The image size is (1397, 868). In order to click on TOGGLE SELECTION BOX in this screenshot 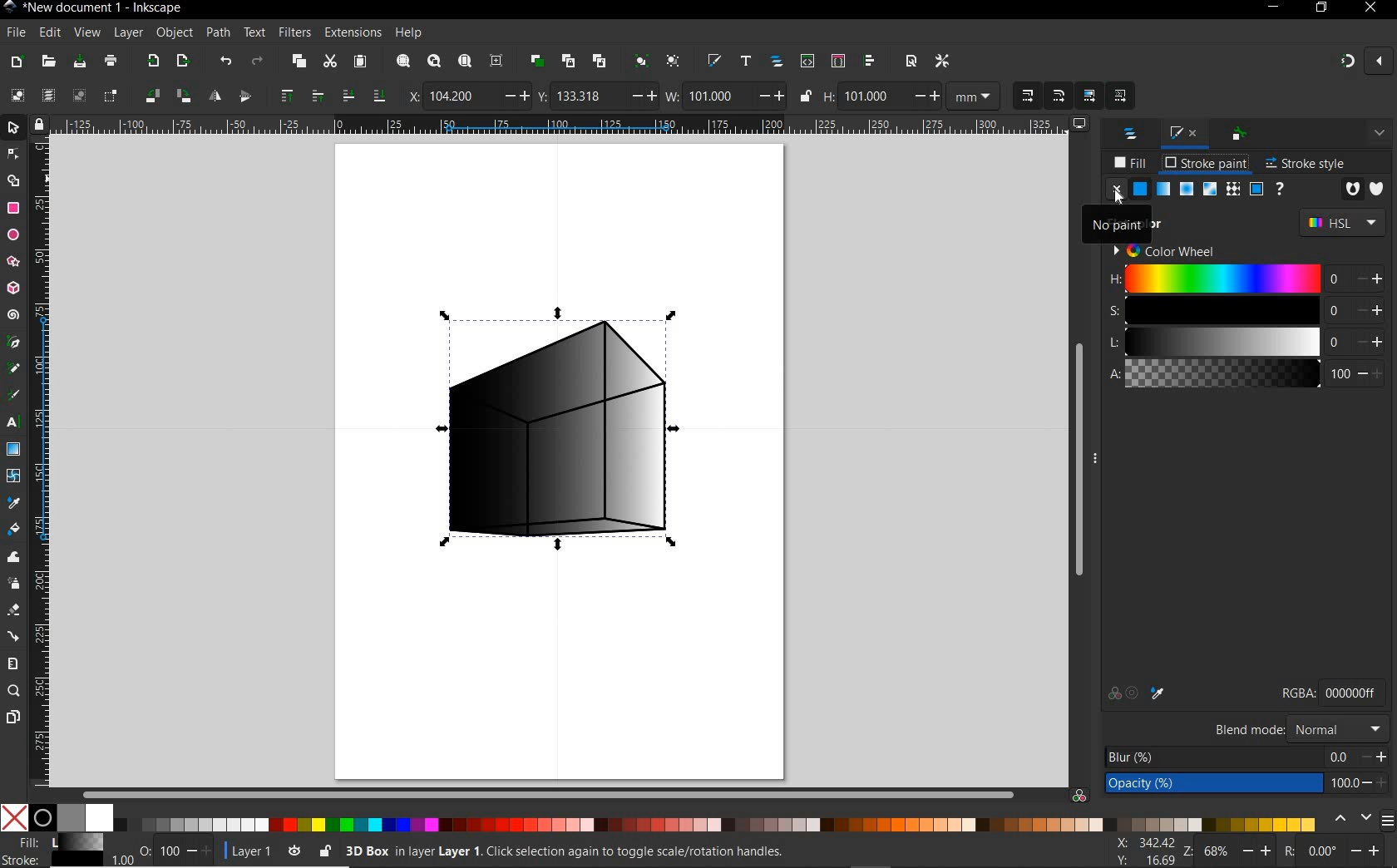, I will do `click(111, 95)`.